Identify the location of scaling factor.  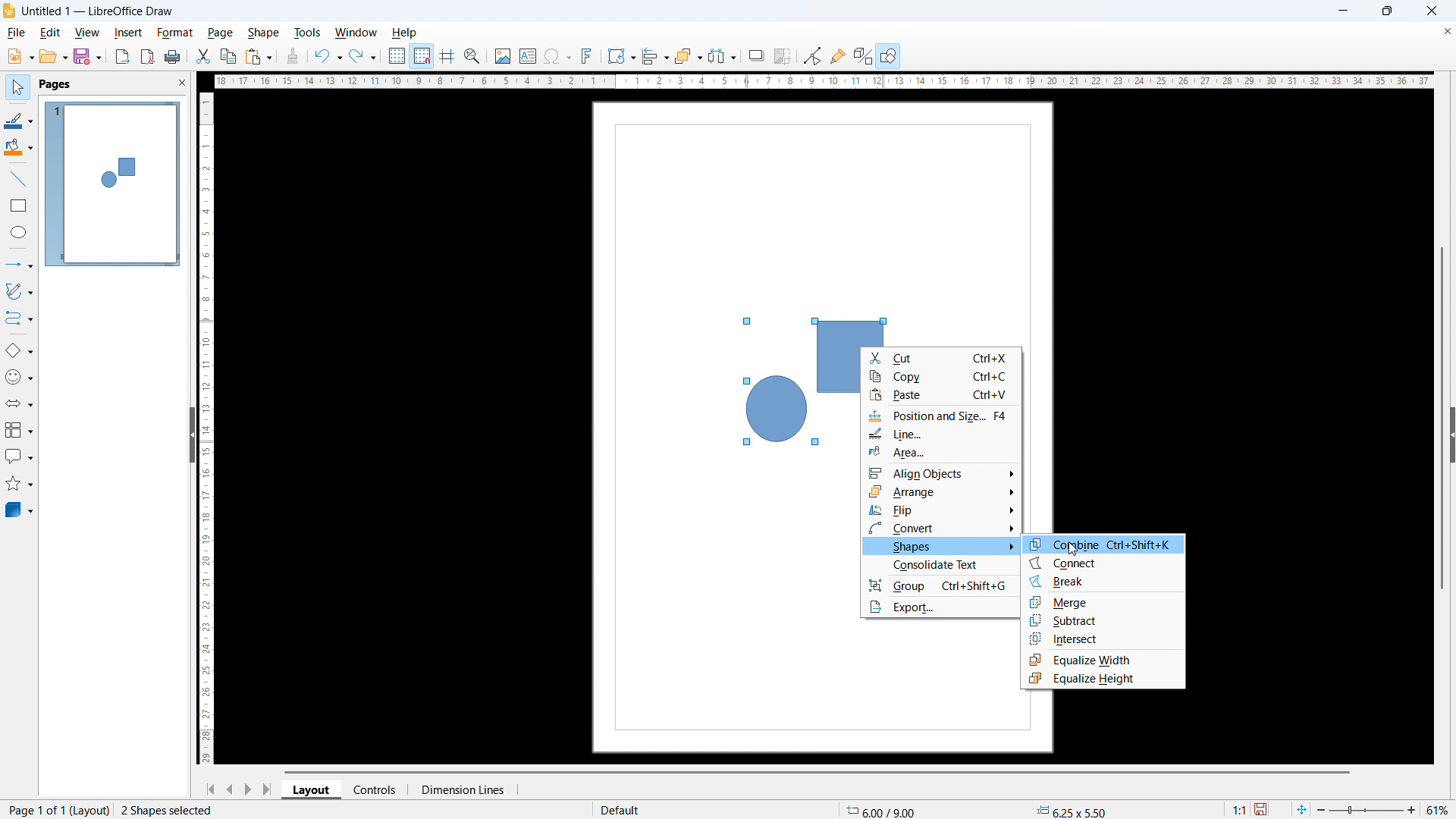
(1241, 809).